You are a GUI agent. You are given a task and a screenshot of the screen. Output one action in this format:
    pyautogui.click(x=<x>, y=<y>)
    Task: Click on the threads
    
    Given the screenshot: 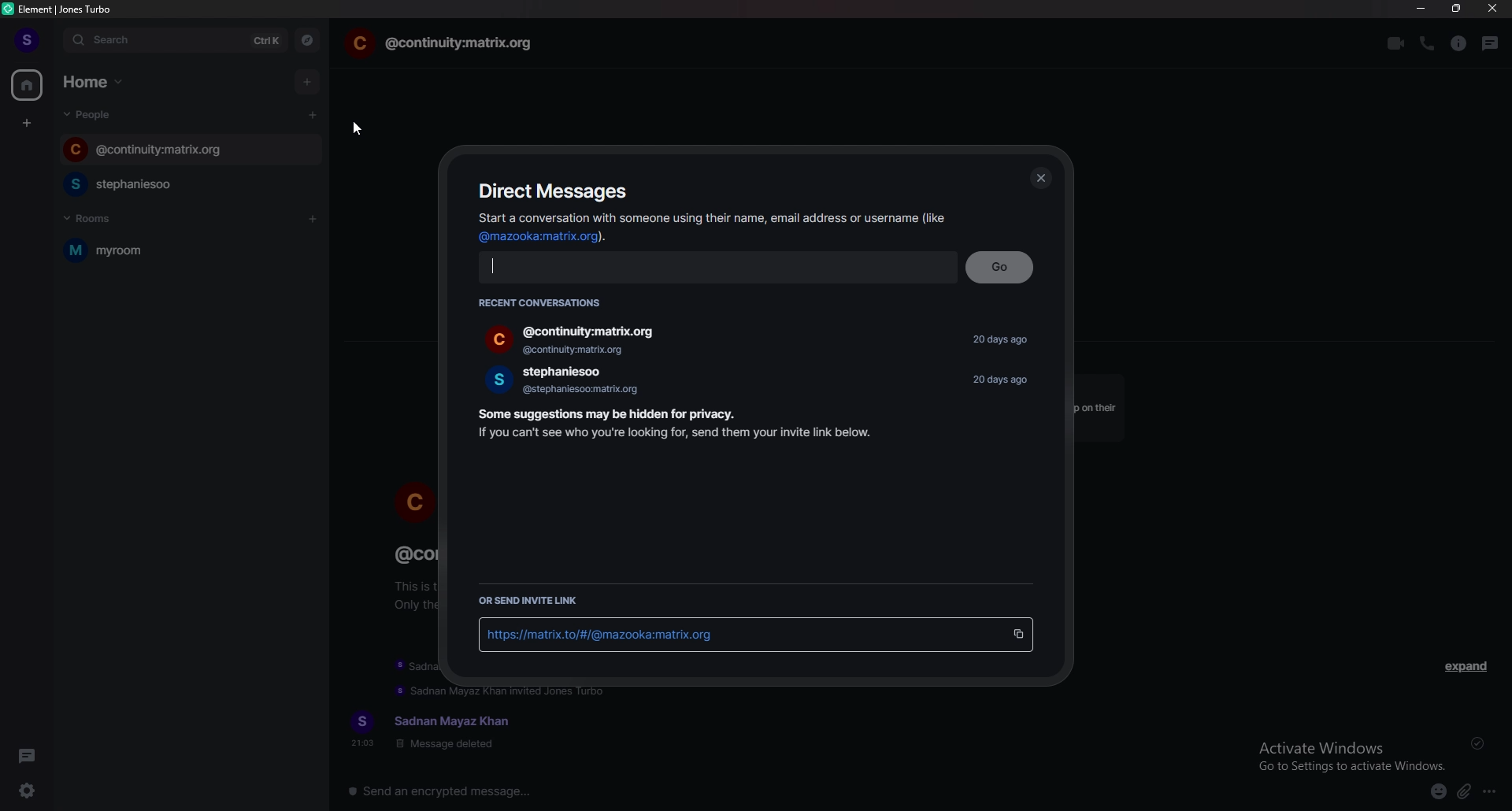 What is the action you would take?
    pyautogui.click(x=1491, y=43)
    